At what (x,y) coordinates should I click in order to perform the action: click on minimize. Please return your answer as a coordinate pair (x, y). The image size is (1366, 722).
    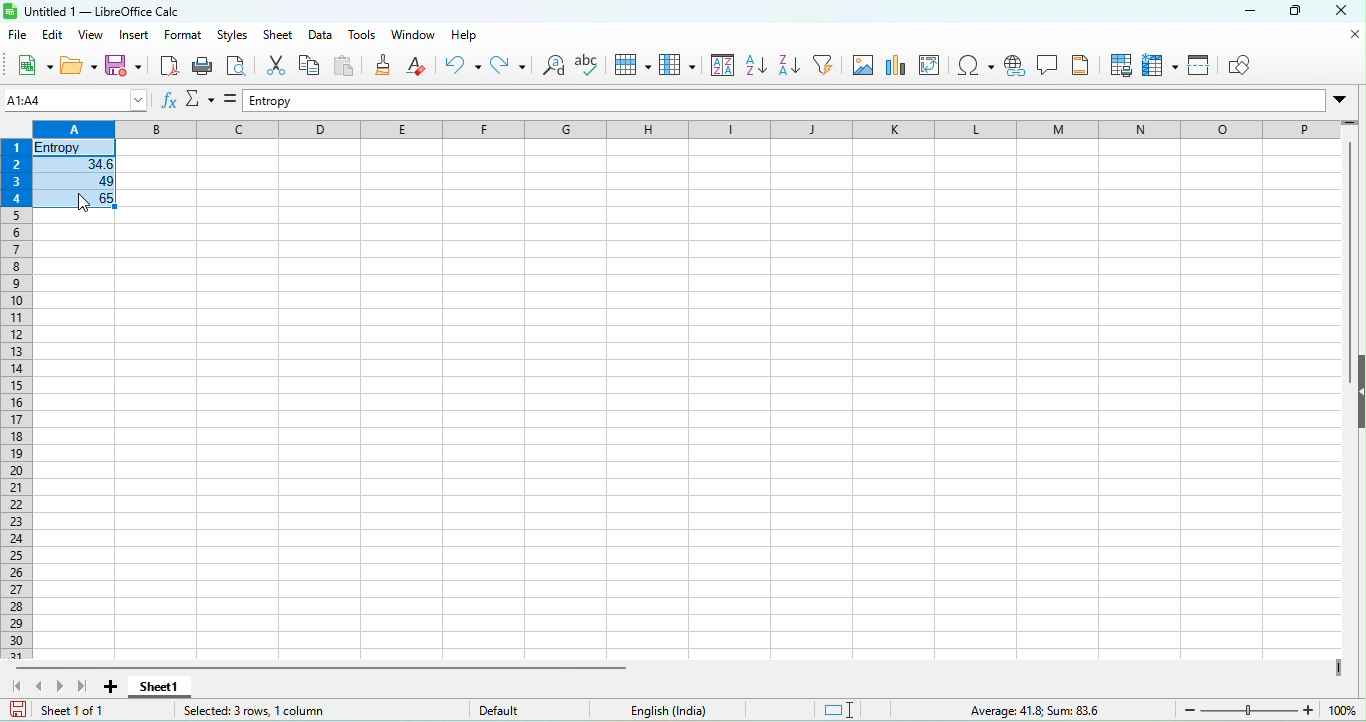
    Looking at the image, I should click on (1248, 13).